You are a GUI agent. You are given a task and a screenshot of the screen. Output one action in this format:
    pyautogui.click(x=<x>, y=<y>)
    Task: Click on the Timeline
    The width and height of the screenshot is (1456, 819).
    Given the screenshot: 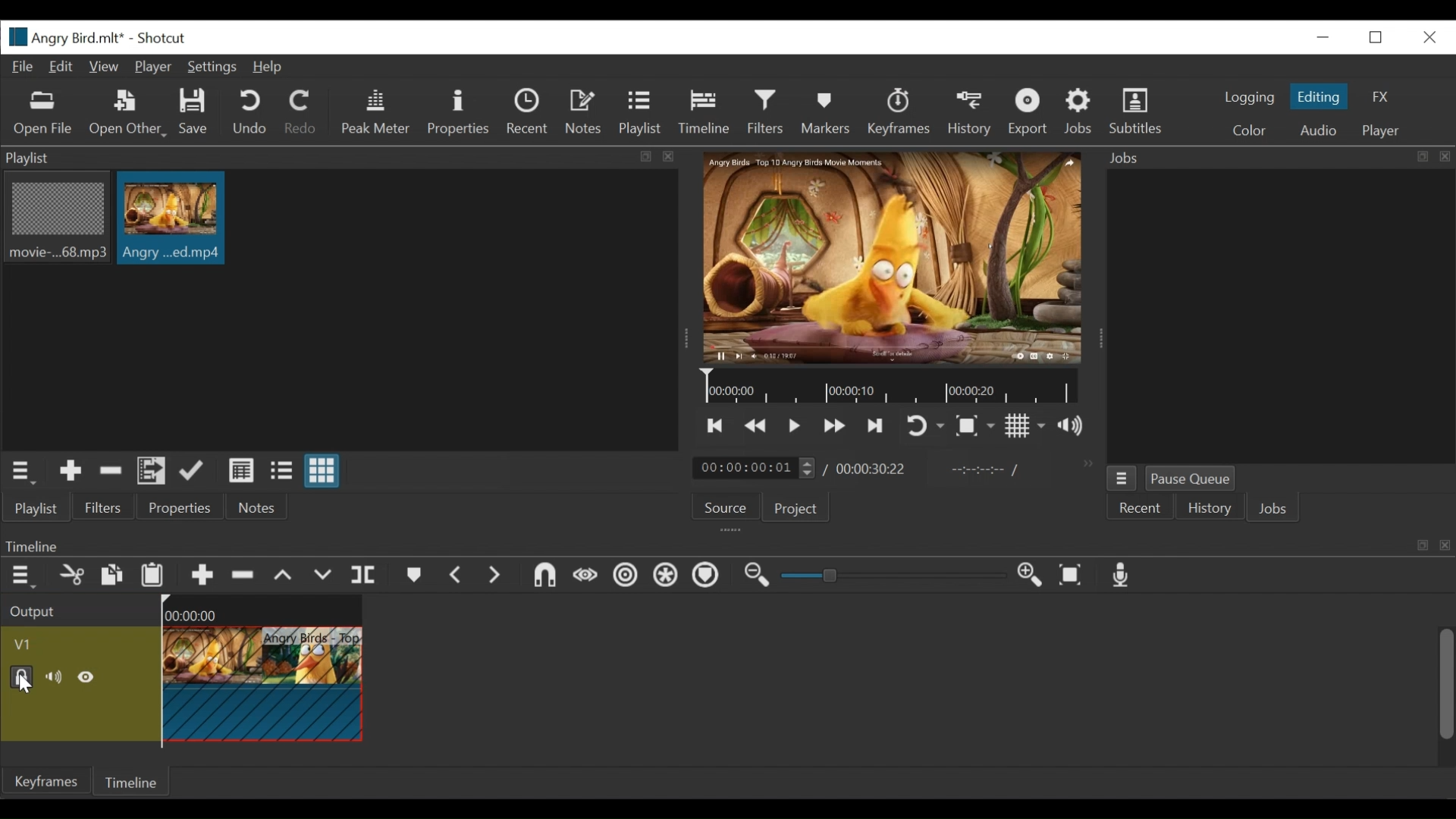 What is the action you would take?
    pyautogui.click(x=133, y=780)
    